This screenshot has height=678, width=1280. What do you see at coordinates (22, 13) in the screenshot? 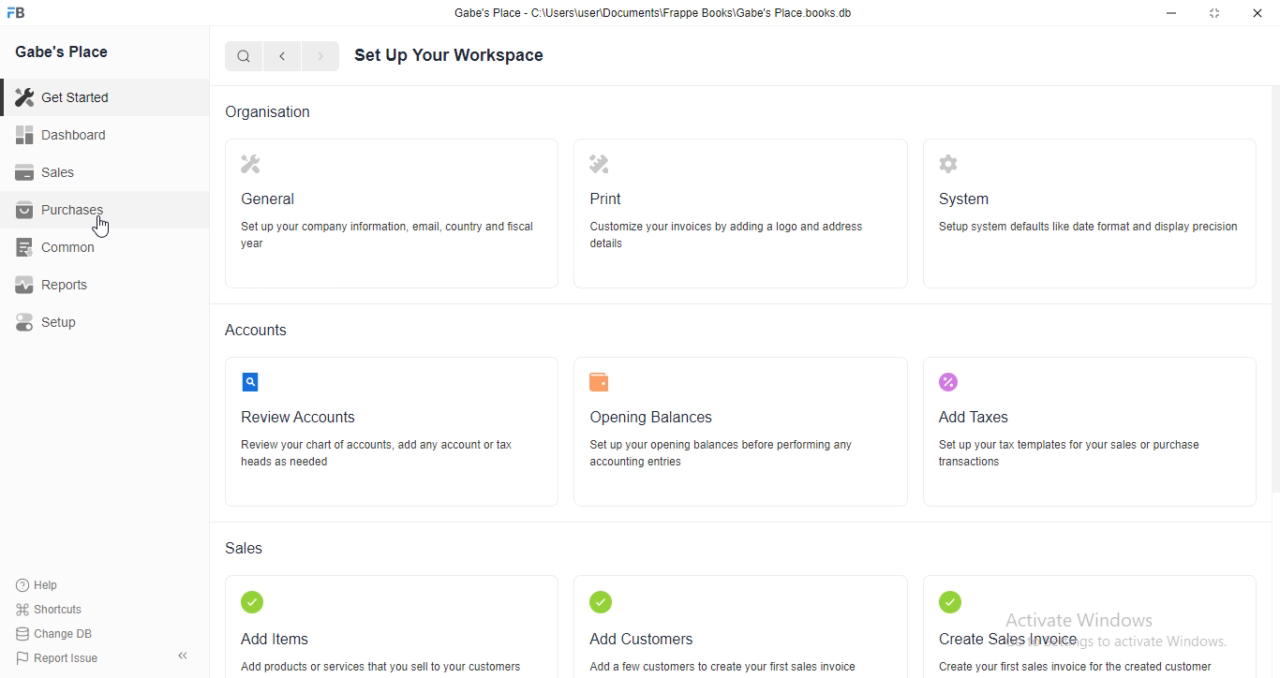
I see `logo` at bounding box center [22, 13].